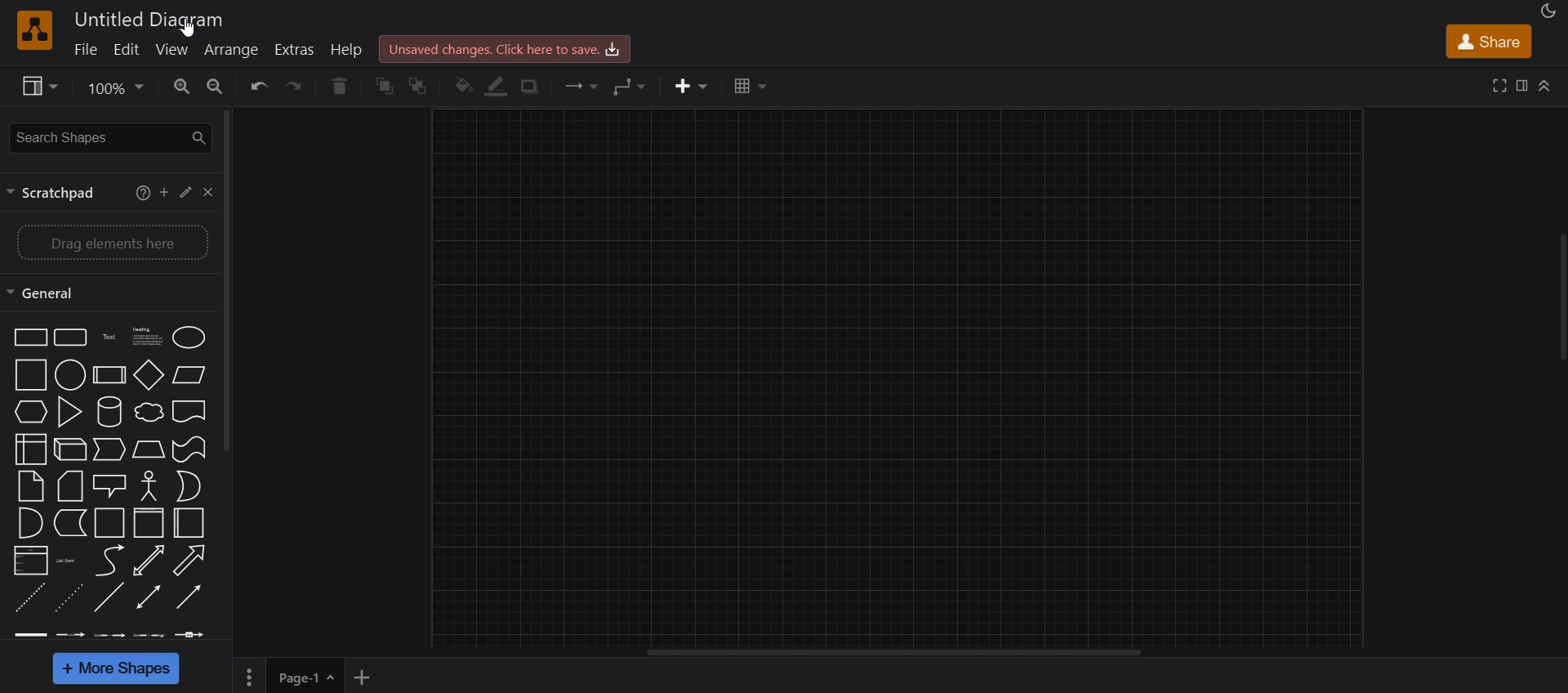 The height and width of the screenshot is (693, 1568). What do you see at coordinates (212, 193) in the screenshot?
I see `close` at bounding box center [212, 193].